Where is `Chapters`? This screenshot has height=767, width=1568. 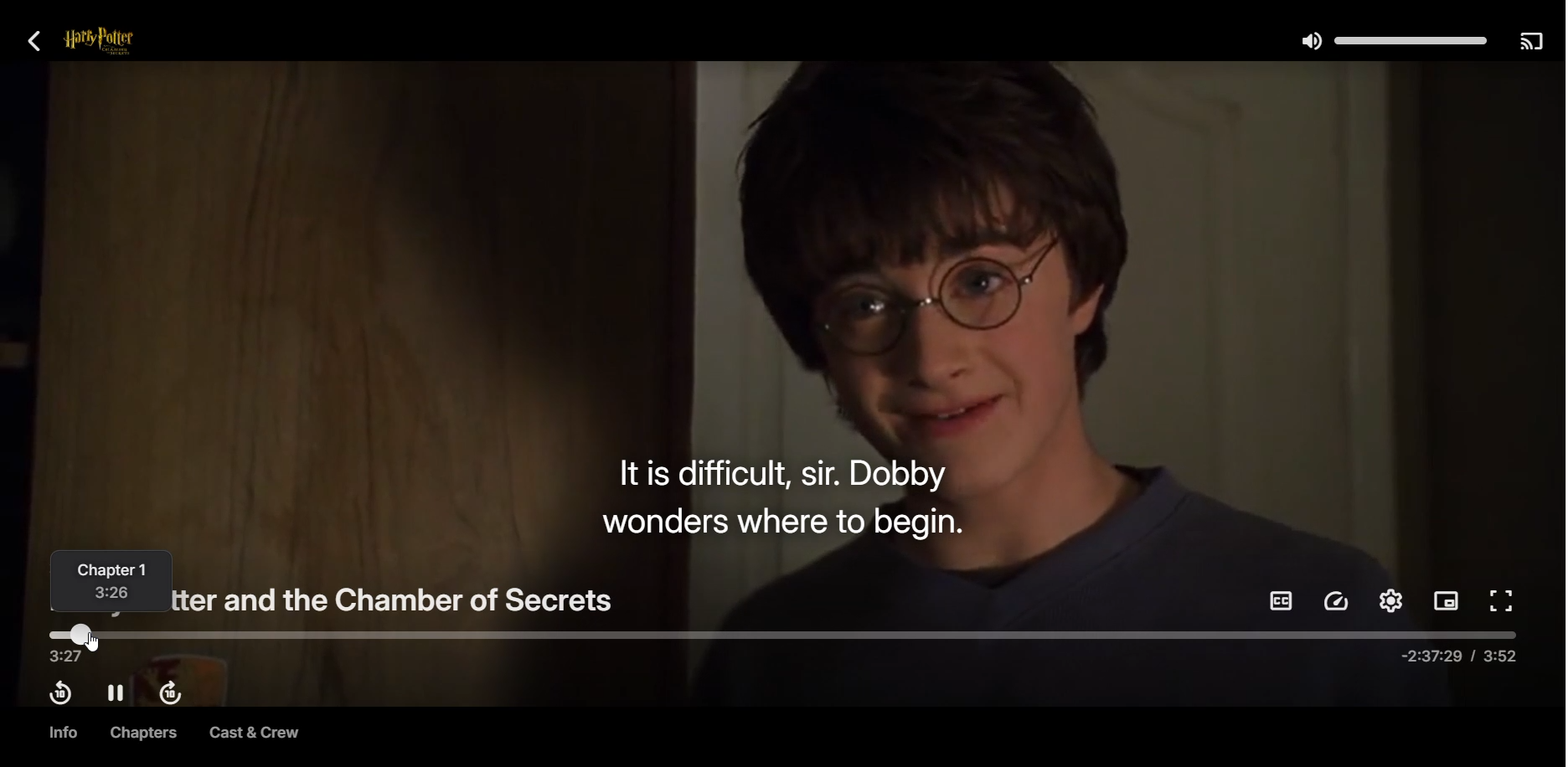 Chapters is located at coordinates (139, 733).